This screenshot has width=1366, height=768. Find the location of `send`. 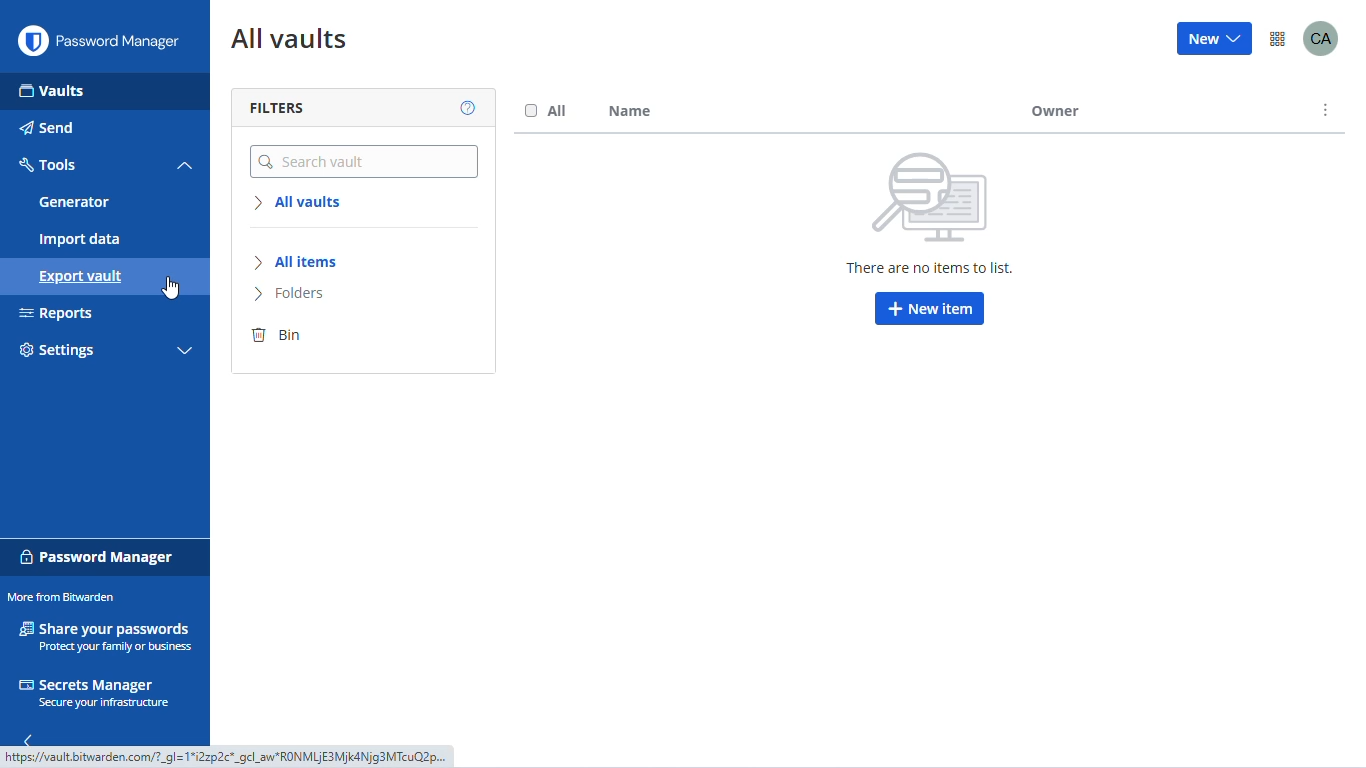

send is located at coordinates (47, 128).